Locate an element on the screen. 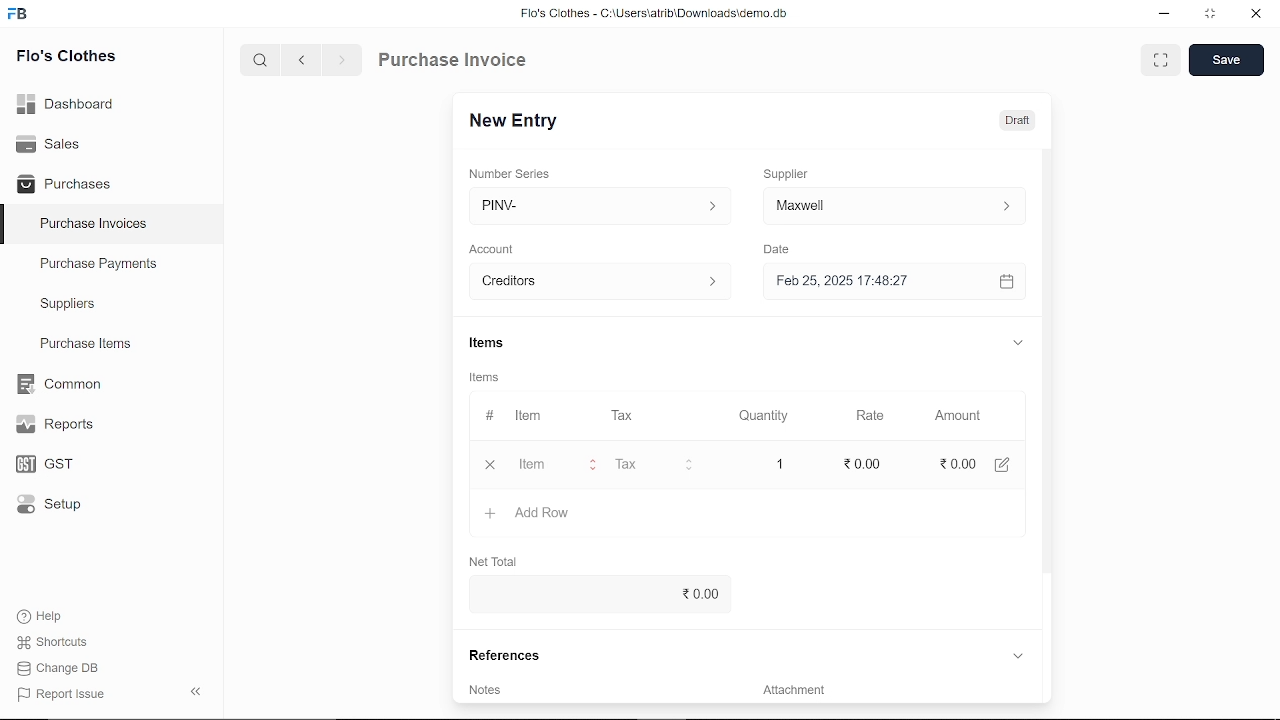 The width and height of the screenshot is (1280, 720). New Entry is located at coordinates (518, 119).